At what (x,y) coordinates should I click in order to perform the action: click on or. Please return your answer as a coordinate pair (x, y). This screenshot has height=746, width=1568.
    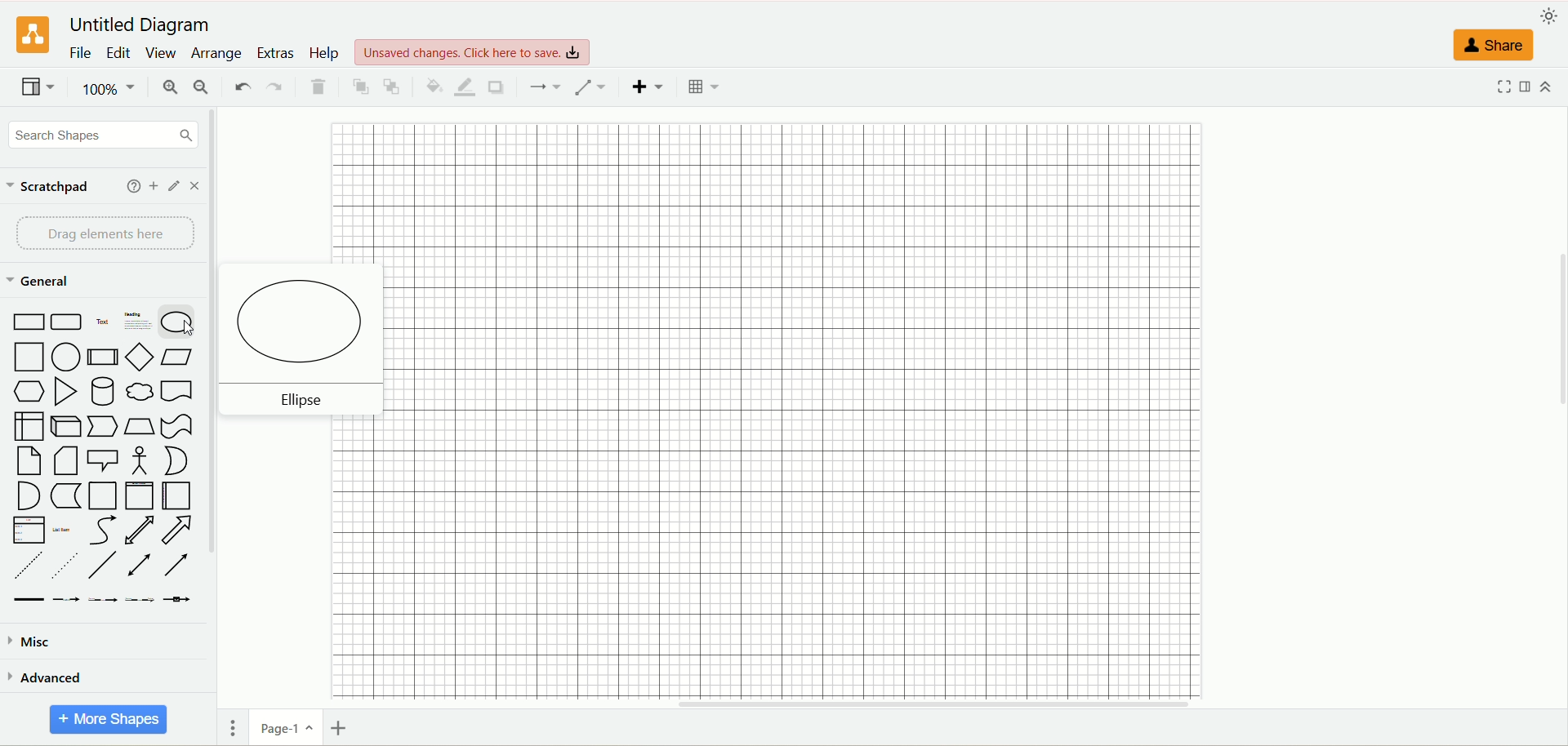
    Looking at the image, I should click on (180, 461).